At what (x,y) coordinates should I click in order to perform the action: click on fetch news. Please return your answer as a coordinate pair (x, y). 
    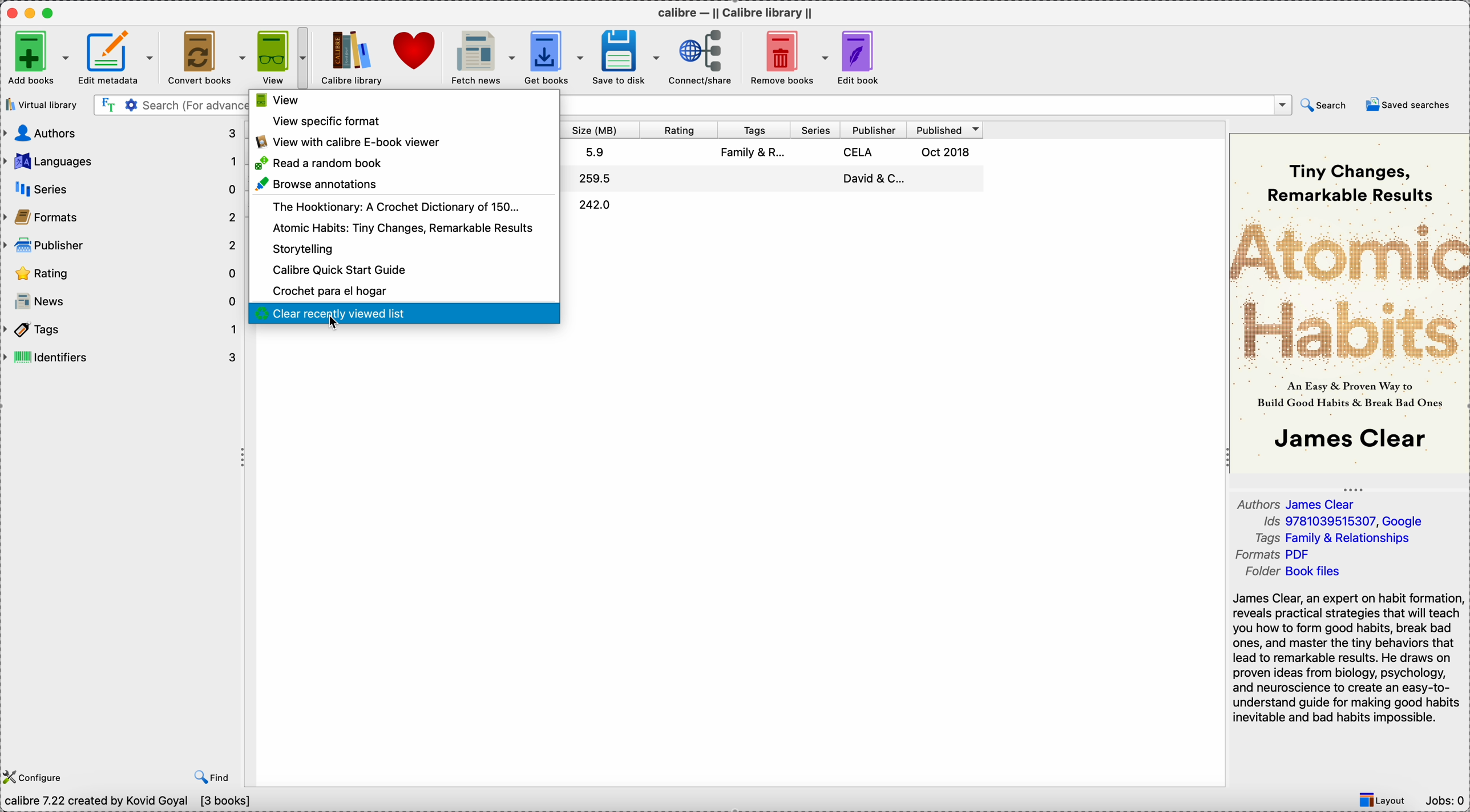
    Looking at the image, I should click on (481, 58).